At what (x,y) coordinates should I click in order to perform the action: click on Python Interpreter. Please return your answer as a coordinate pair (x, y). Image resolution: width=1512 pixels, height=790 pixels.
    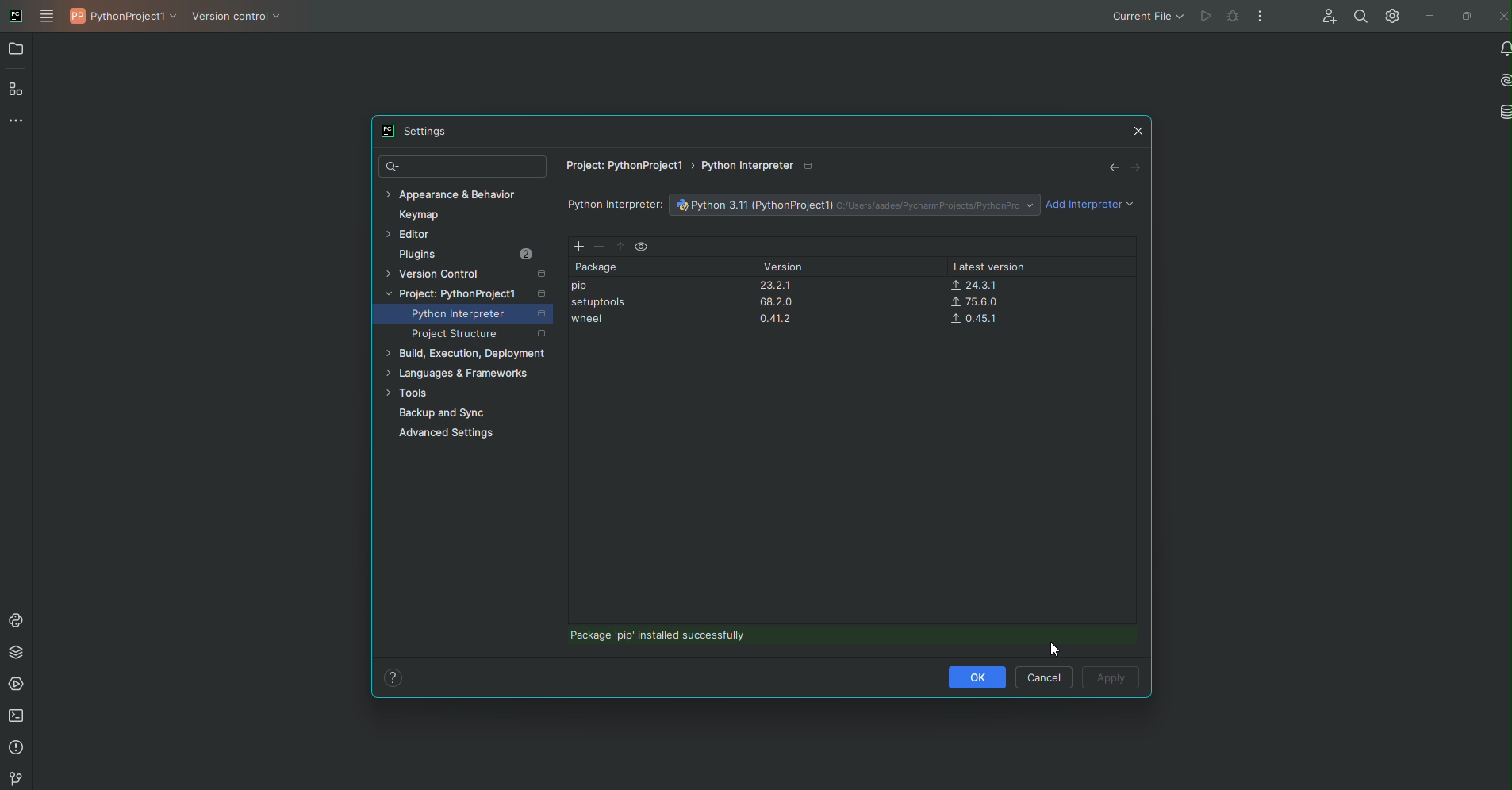
    Looking at the image, I should click on (615, 205).